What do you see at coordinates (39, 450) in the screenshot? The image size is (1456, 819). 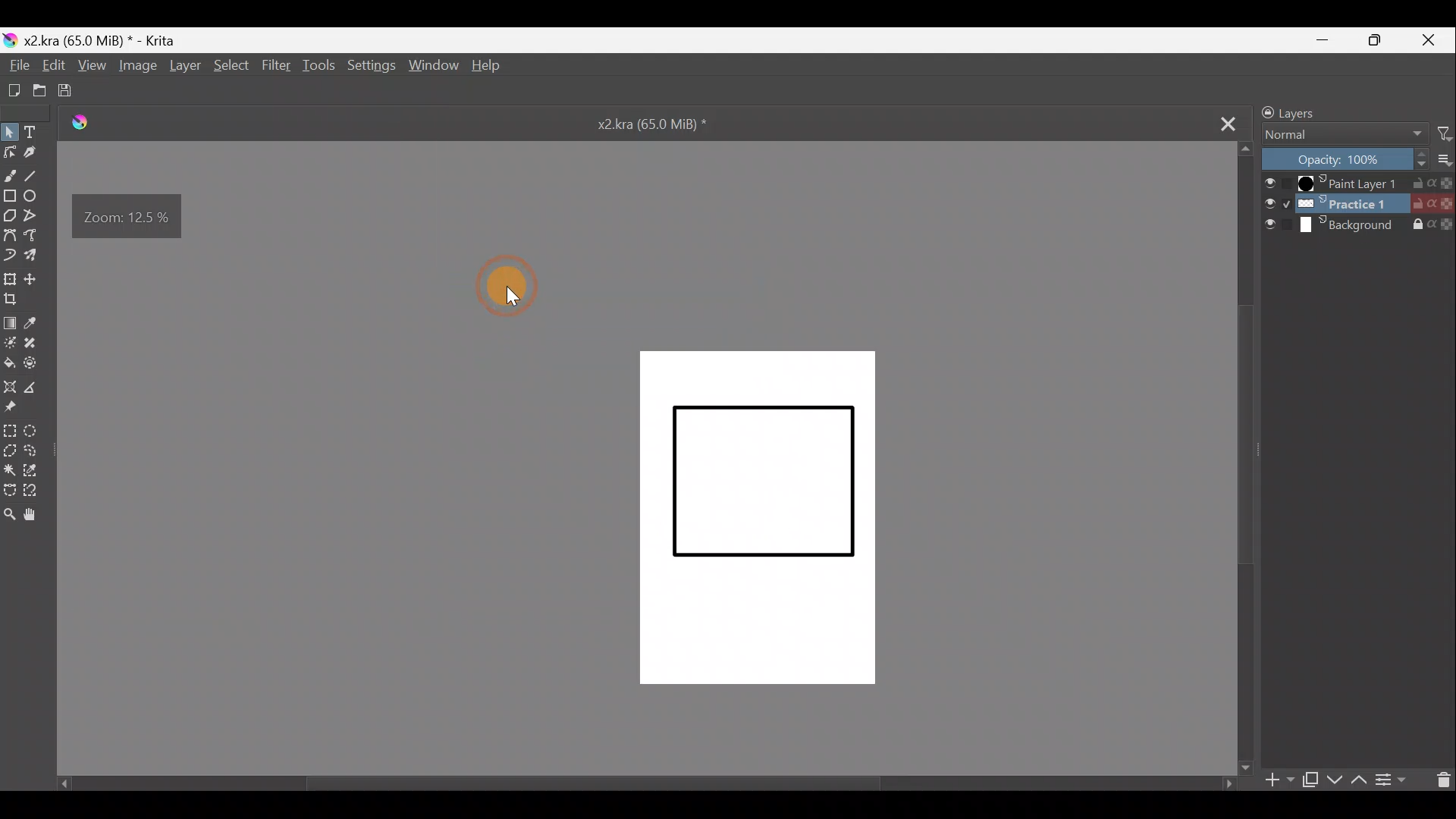 I see `Freehand selection tool` at bounding box center [39, 450].